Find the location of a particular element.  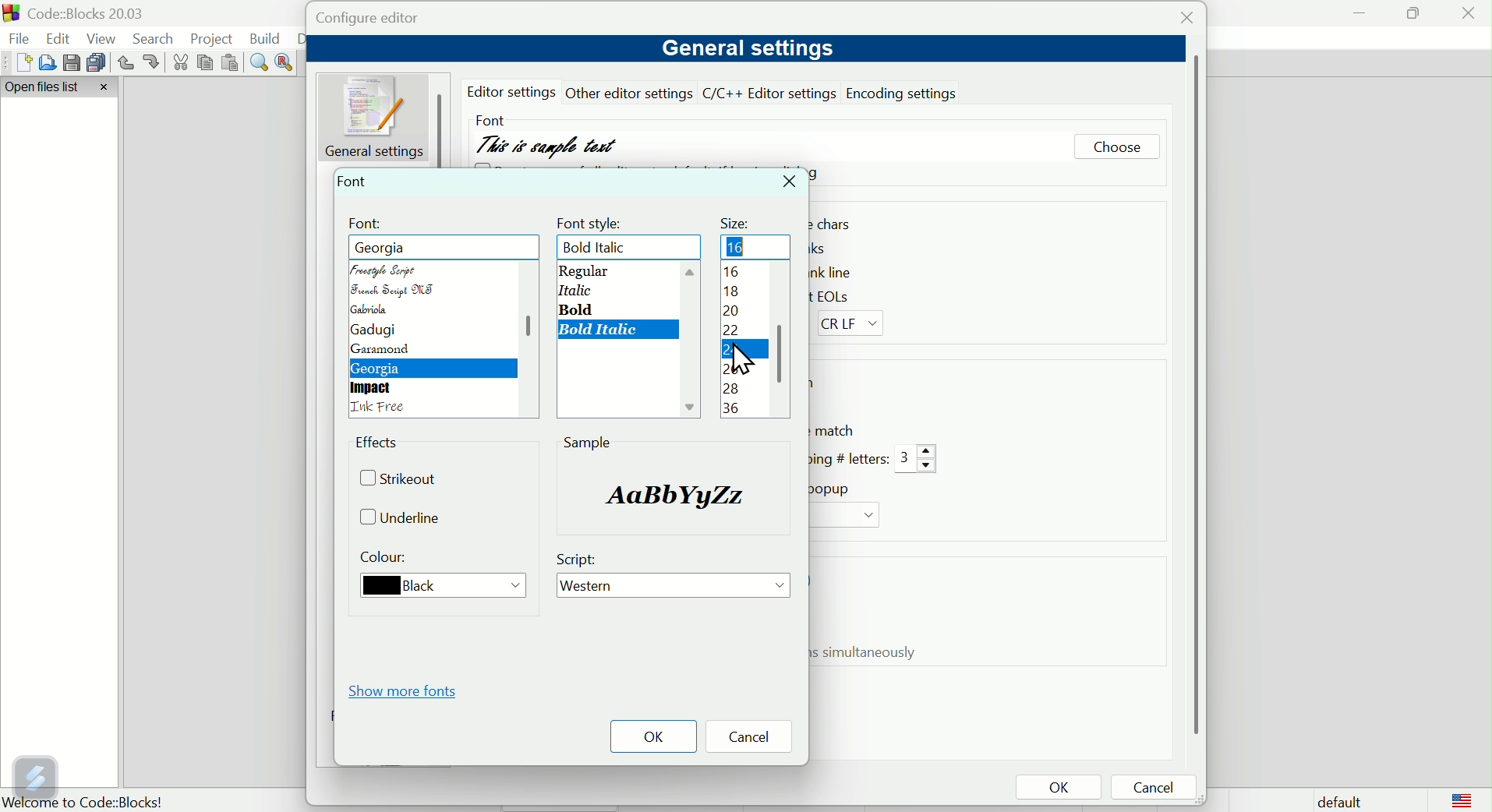

Court blocks 2003 is located at coordinates (98, 13).